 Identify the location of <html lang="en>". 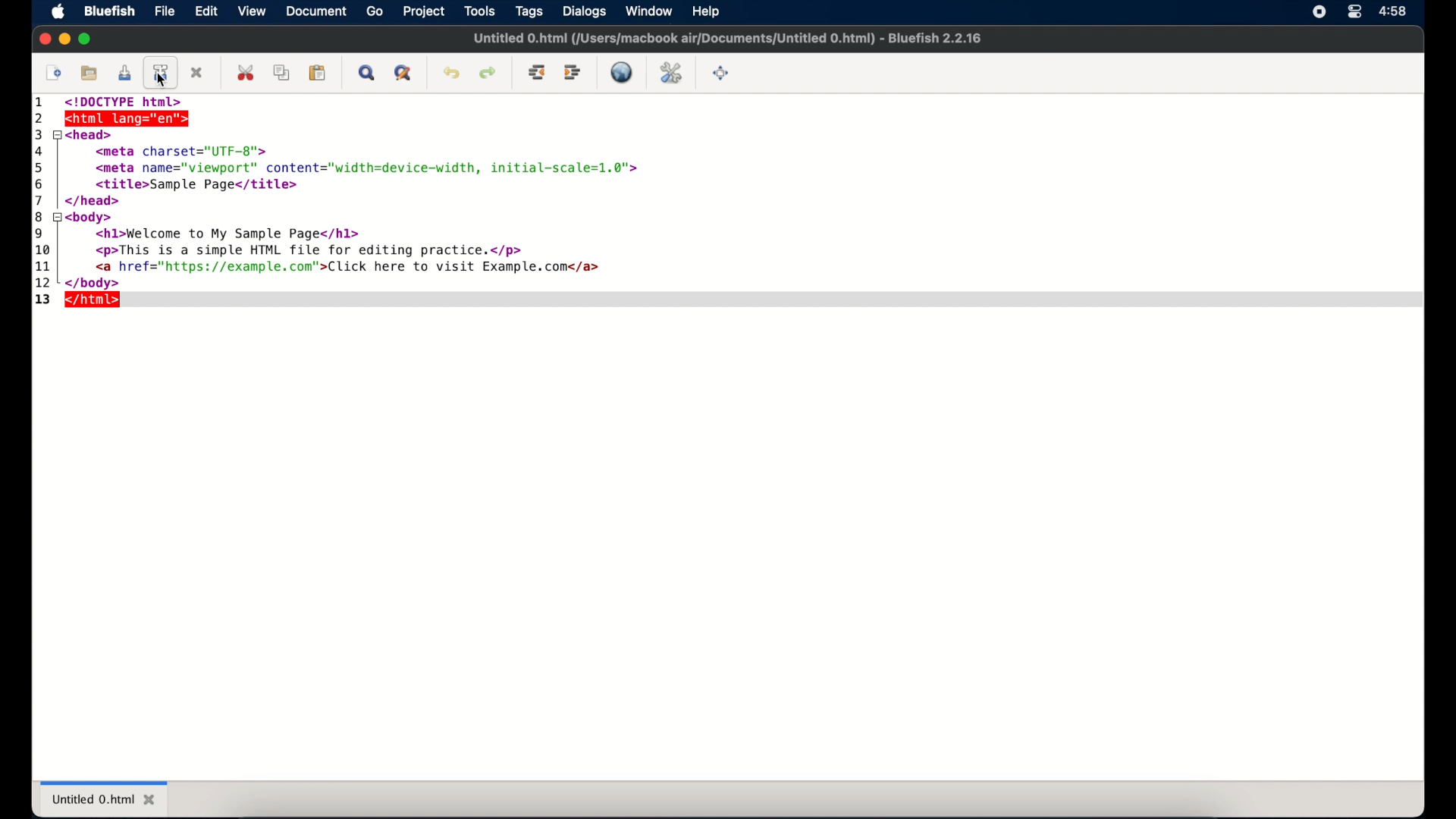
(159, 119).